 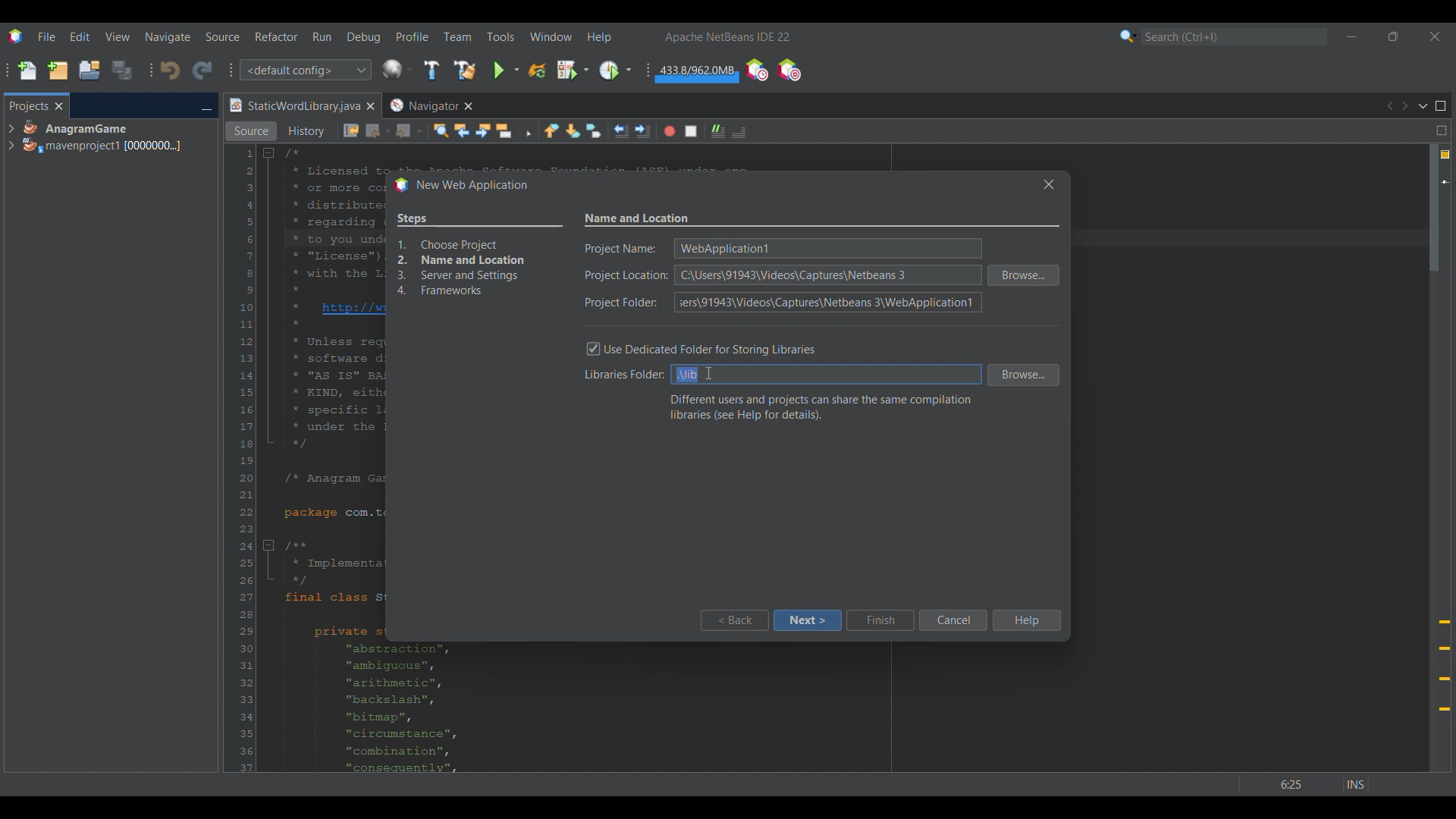 I want to click on Close interface, so click(x=1435, y=36).